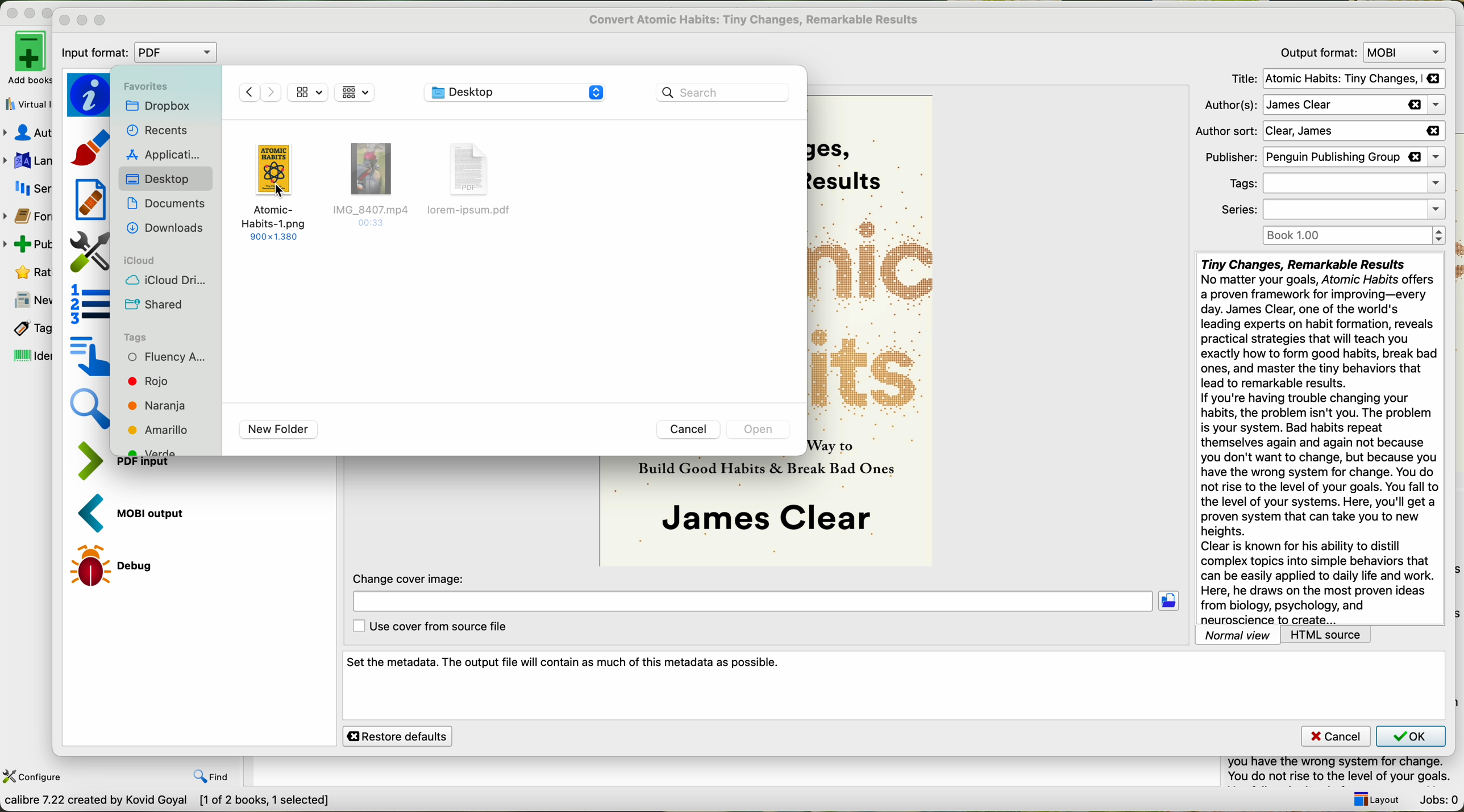 The height and width of the screenshot is (812, 1464). Describe the element at coordinates (101, 20) in the screenshot. I see `maximize` at that location.